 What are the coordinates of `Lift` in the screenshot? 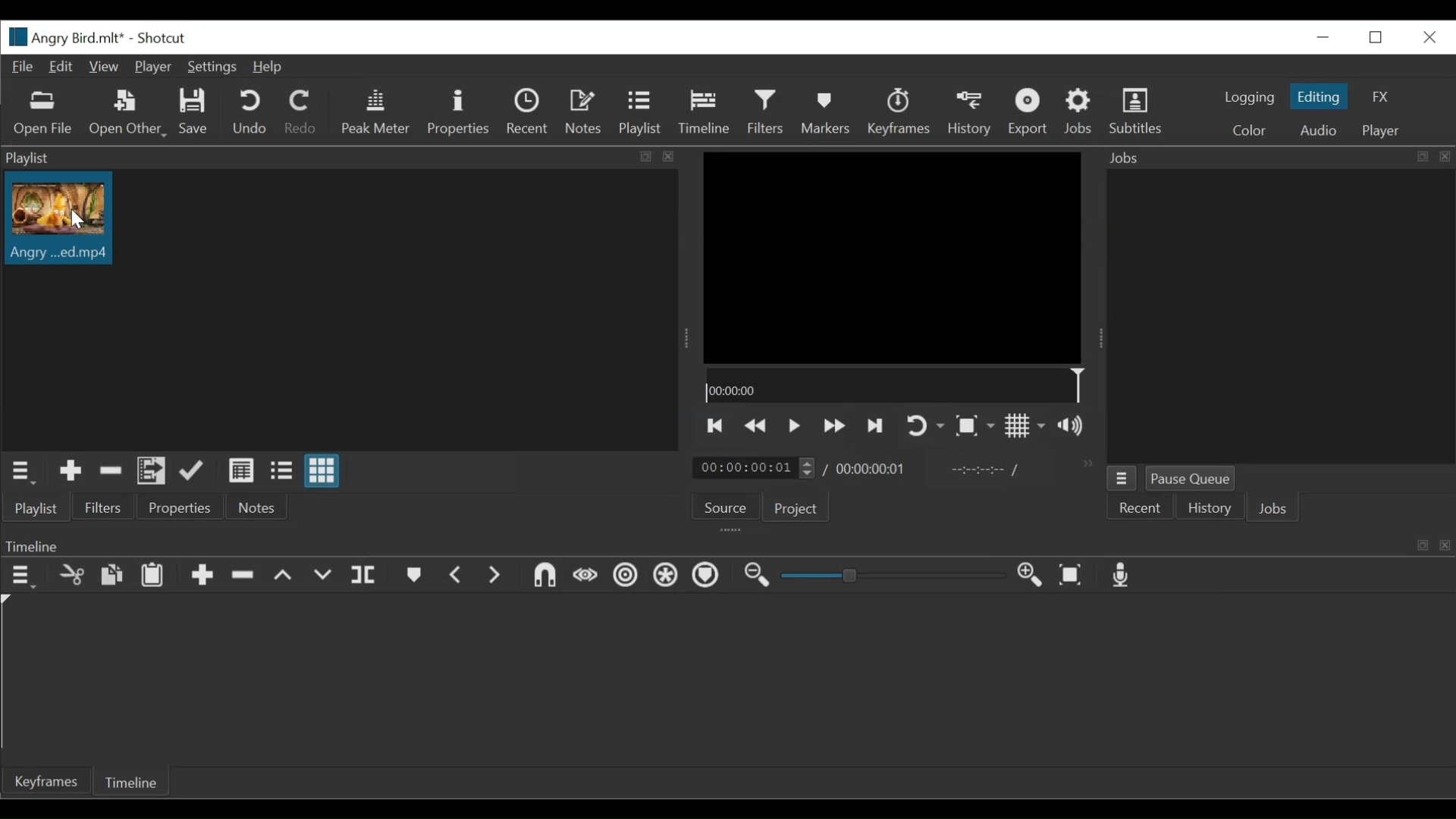 It's located at (285, 576).